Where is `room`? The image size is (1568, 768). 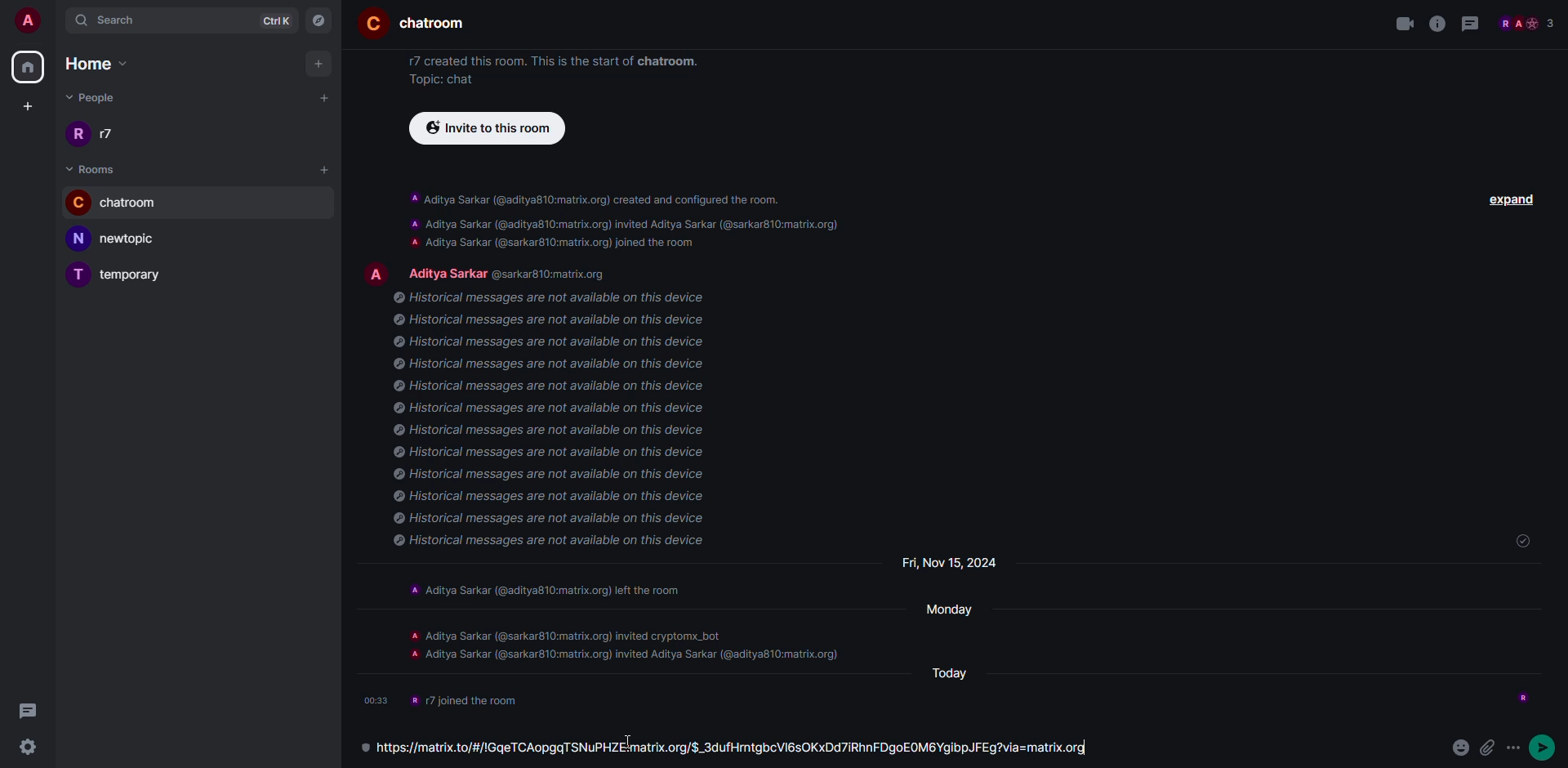 room is located at coordinates (412, 24).